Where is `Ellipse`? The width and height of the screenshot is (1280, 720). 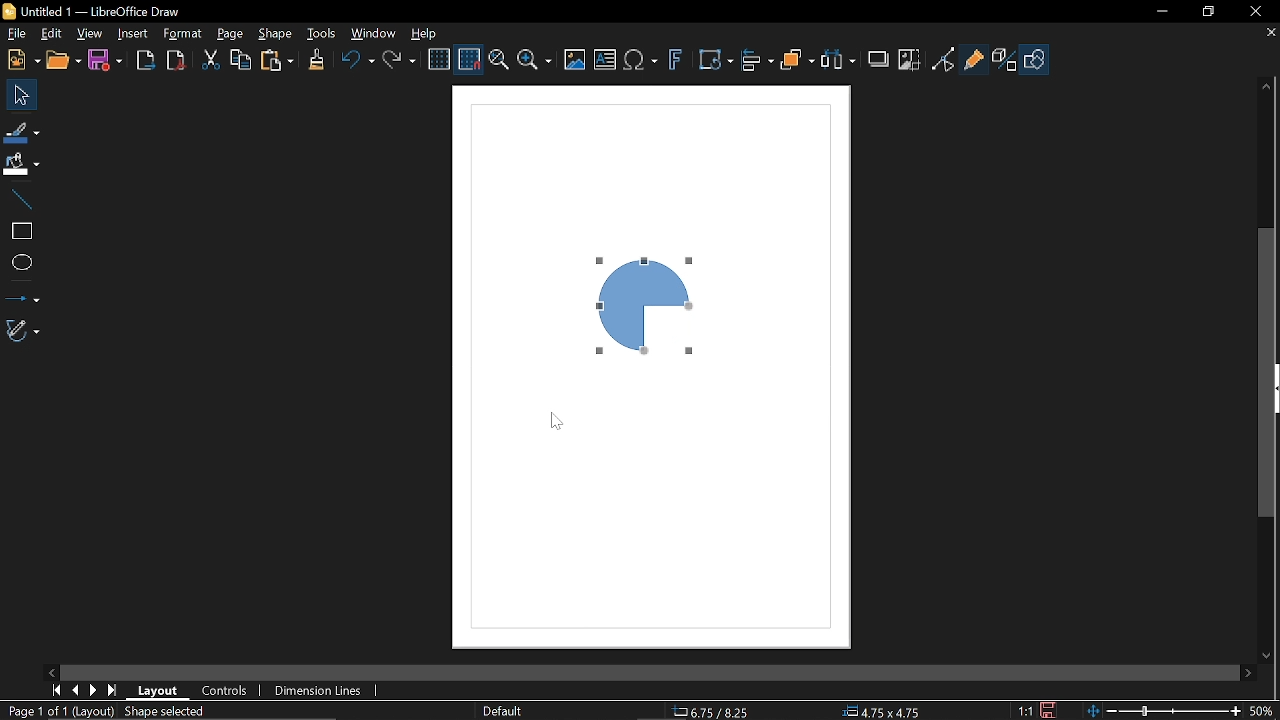 Ellipse is located at coordinates (19, 263).